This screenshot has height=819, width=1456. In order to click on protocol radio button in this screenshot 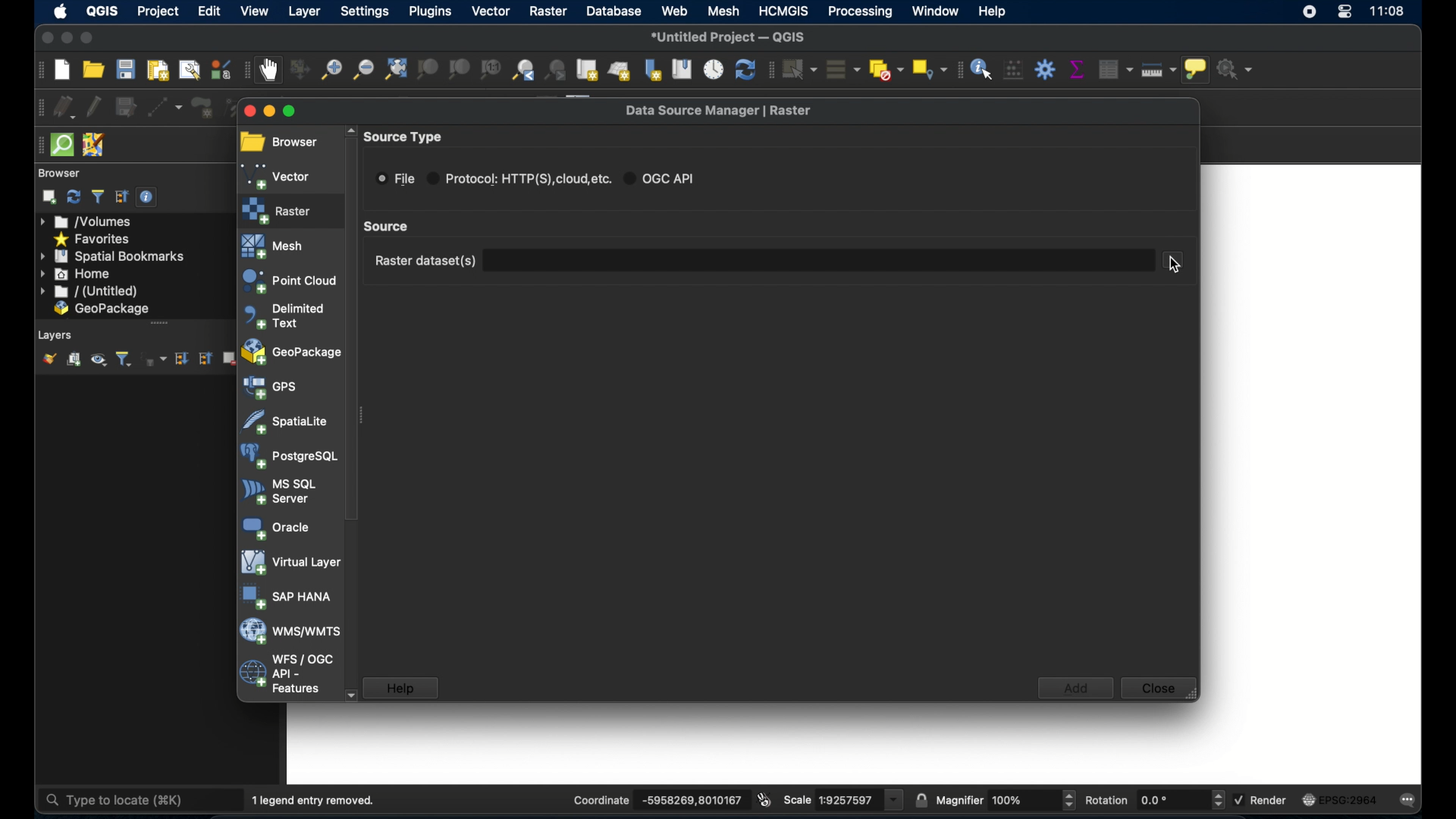, I will do `click(519, 178)`.